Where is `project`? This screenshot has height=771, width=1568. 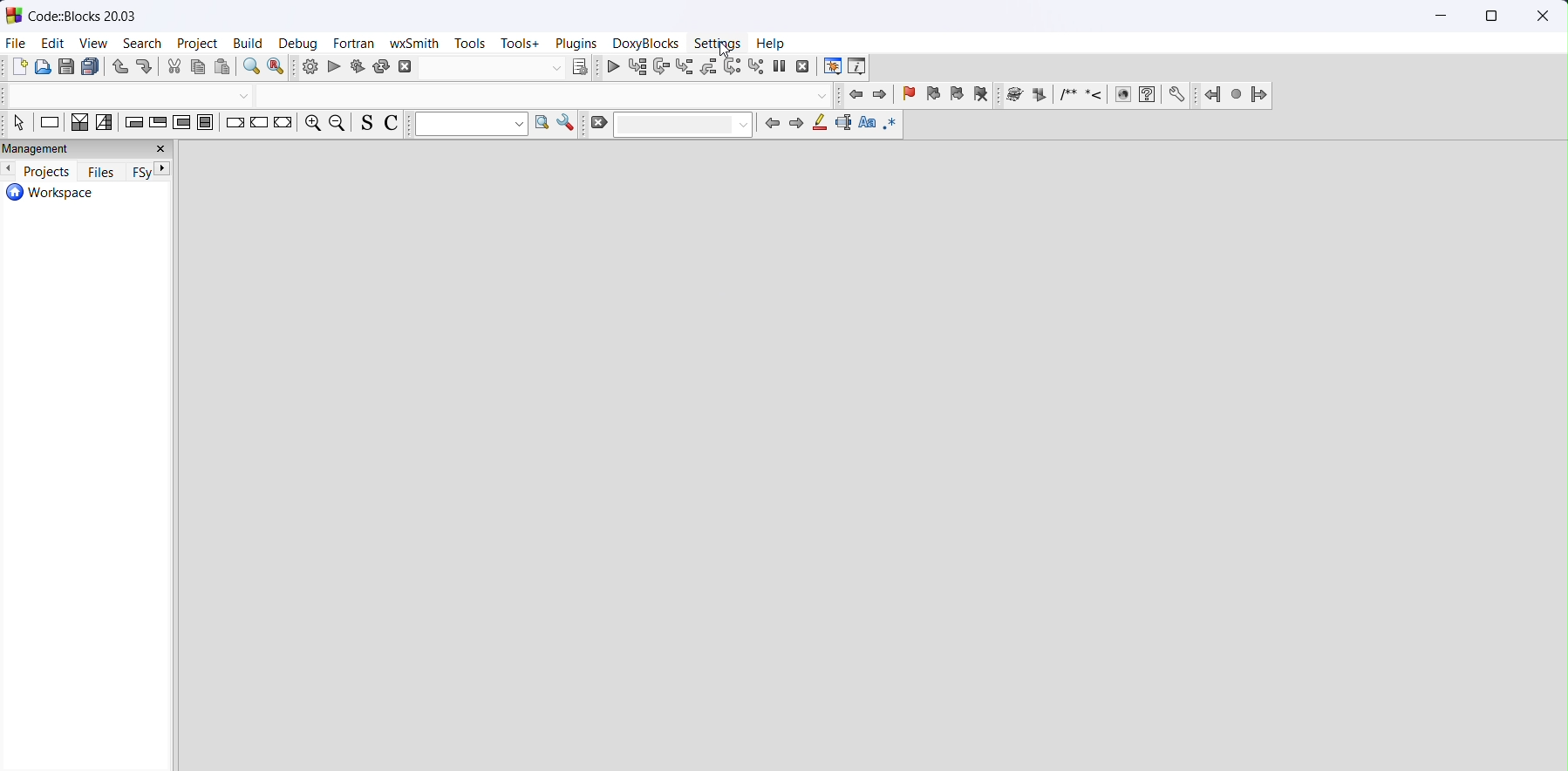
project is located at coordinates (200, 44).